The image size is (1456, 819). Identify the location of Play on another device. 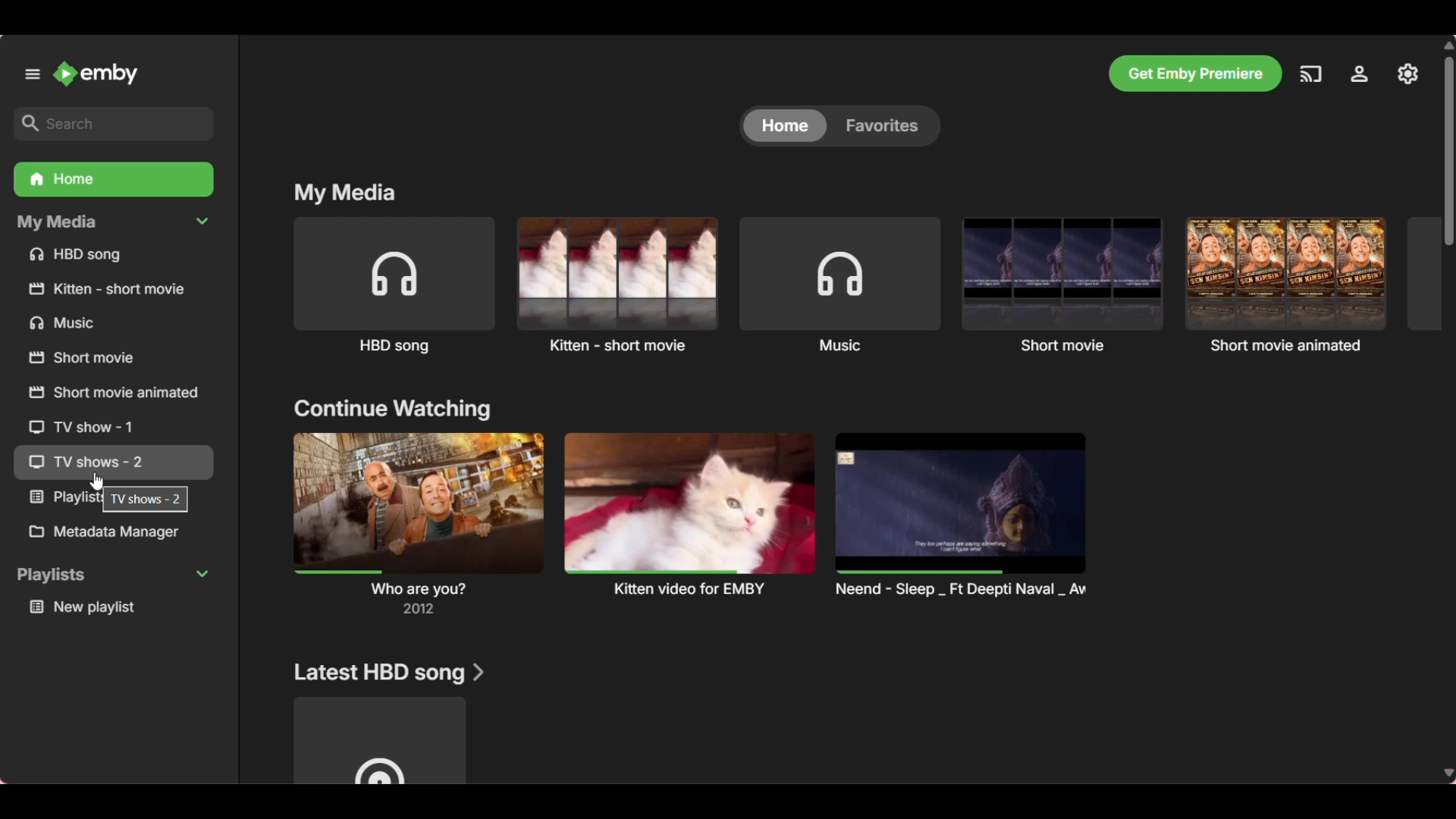
(1310, 74).